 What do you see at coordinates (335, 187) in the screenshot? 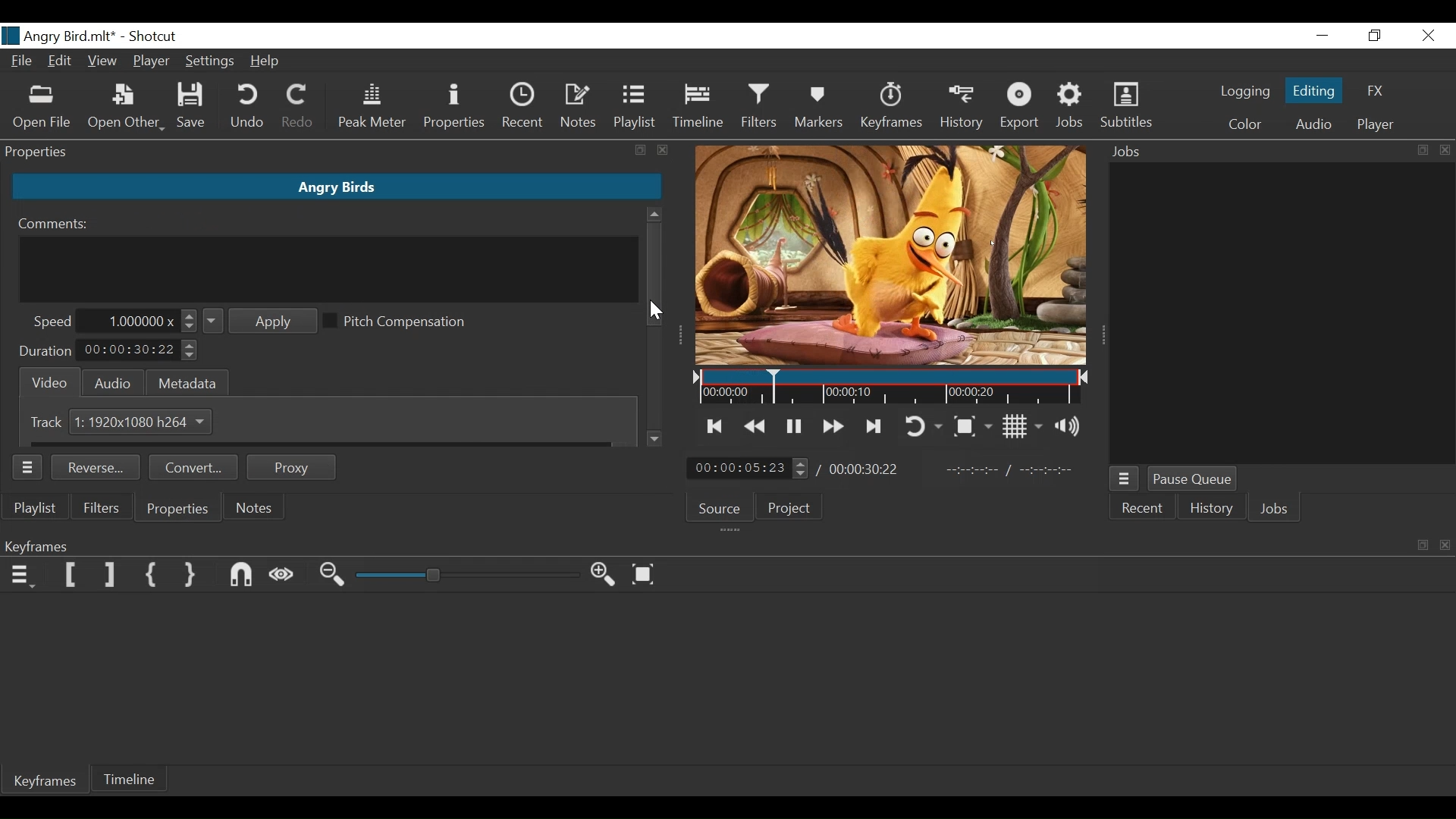
I see `Clip Name` at bounding box center [335, 187].